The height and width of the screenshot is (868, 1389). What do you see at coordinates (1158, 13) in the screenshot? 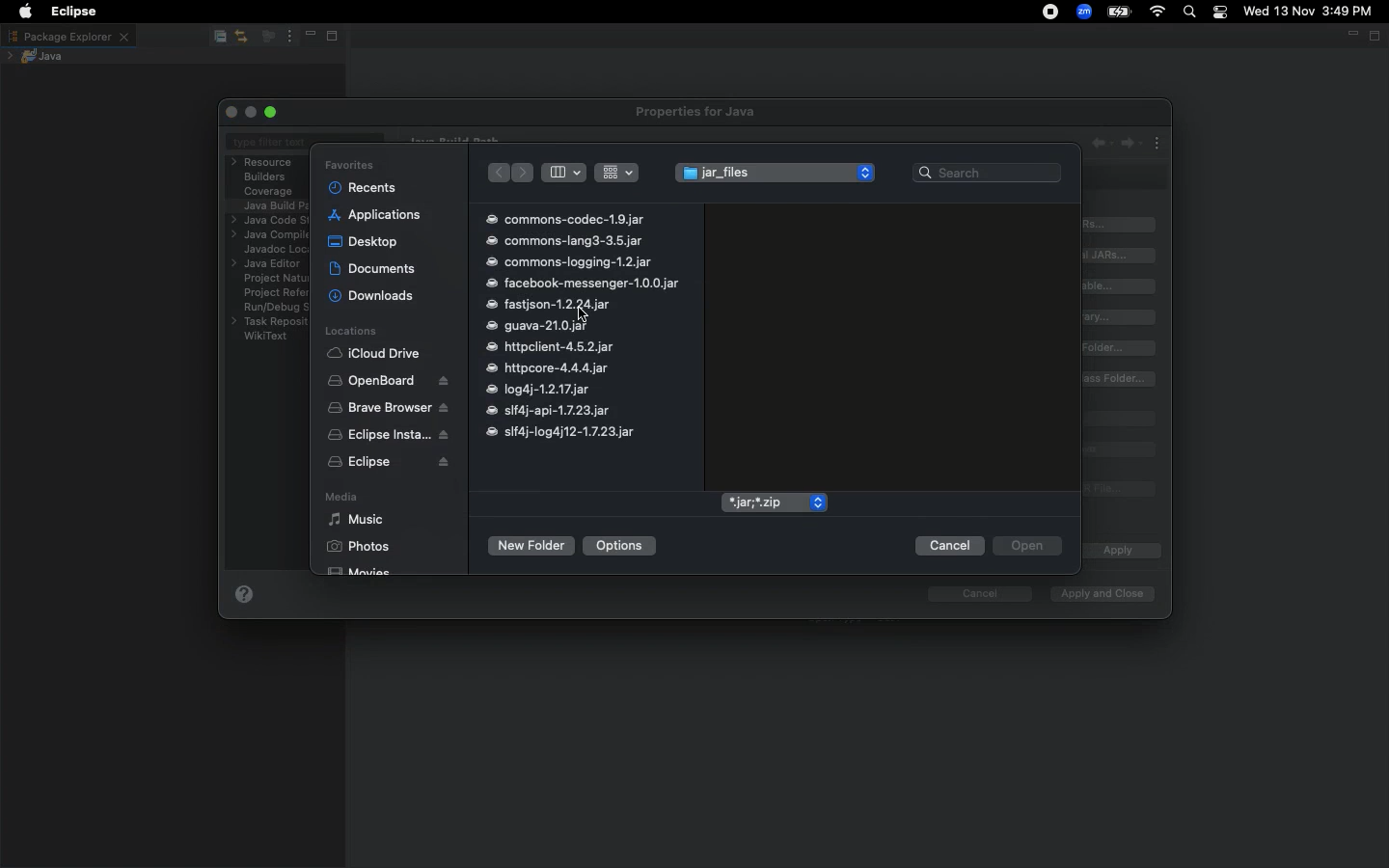
I see `Internet` at bounding box center [1158, 13].